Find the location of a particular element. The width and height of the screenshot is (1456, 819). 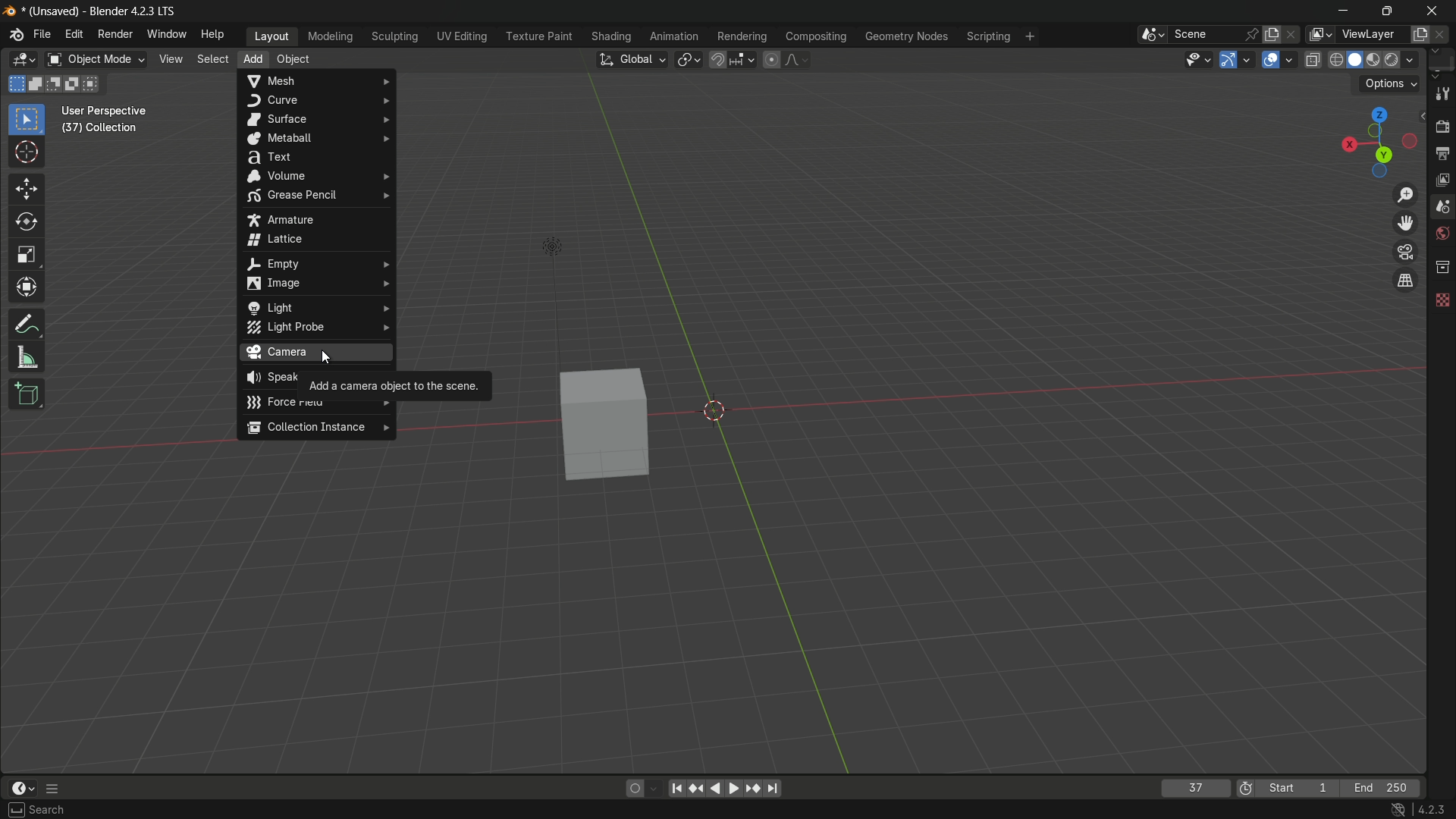

origin is located at coordinates (718, 412).